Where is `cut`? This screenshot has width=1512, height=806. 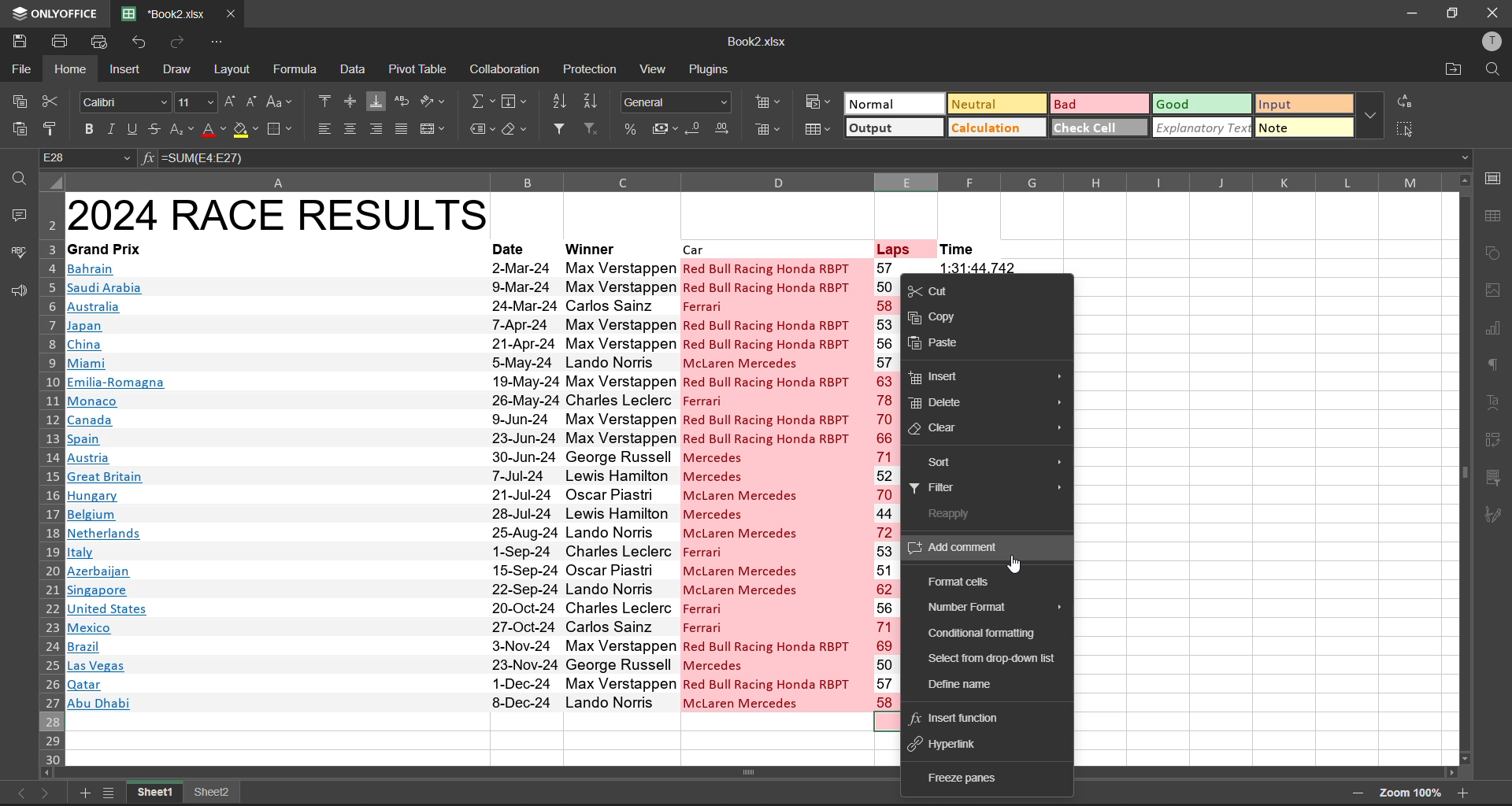
cut is located at coordinates (938, 291).